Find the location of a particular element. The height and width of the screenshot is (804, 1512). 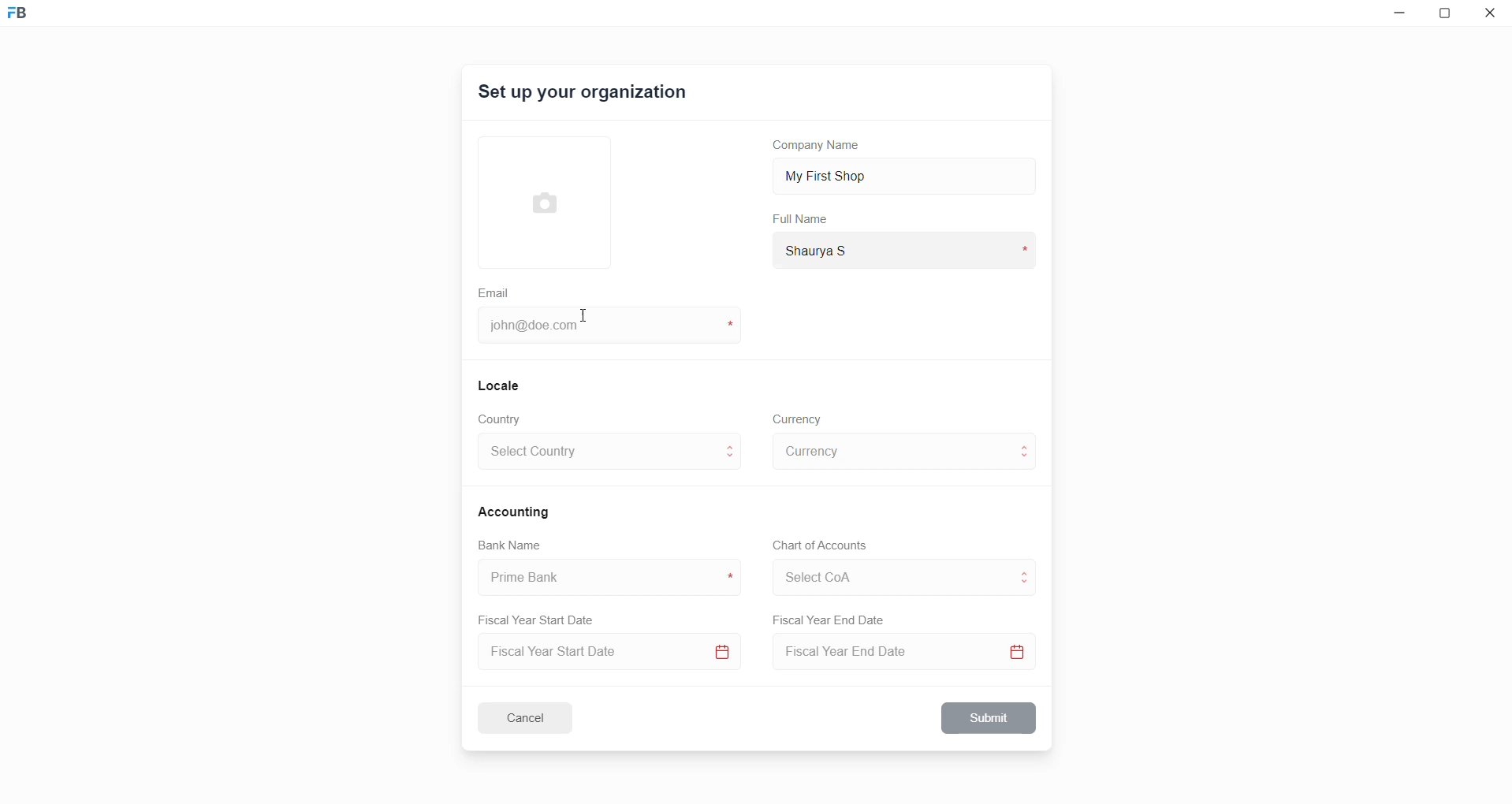

resize  is located at coordinates (1449, 16).